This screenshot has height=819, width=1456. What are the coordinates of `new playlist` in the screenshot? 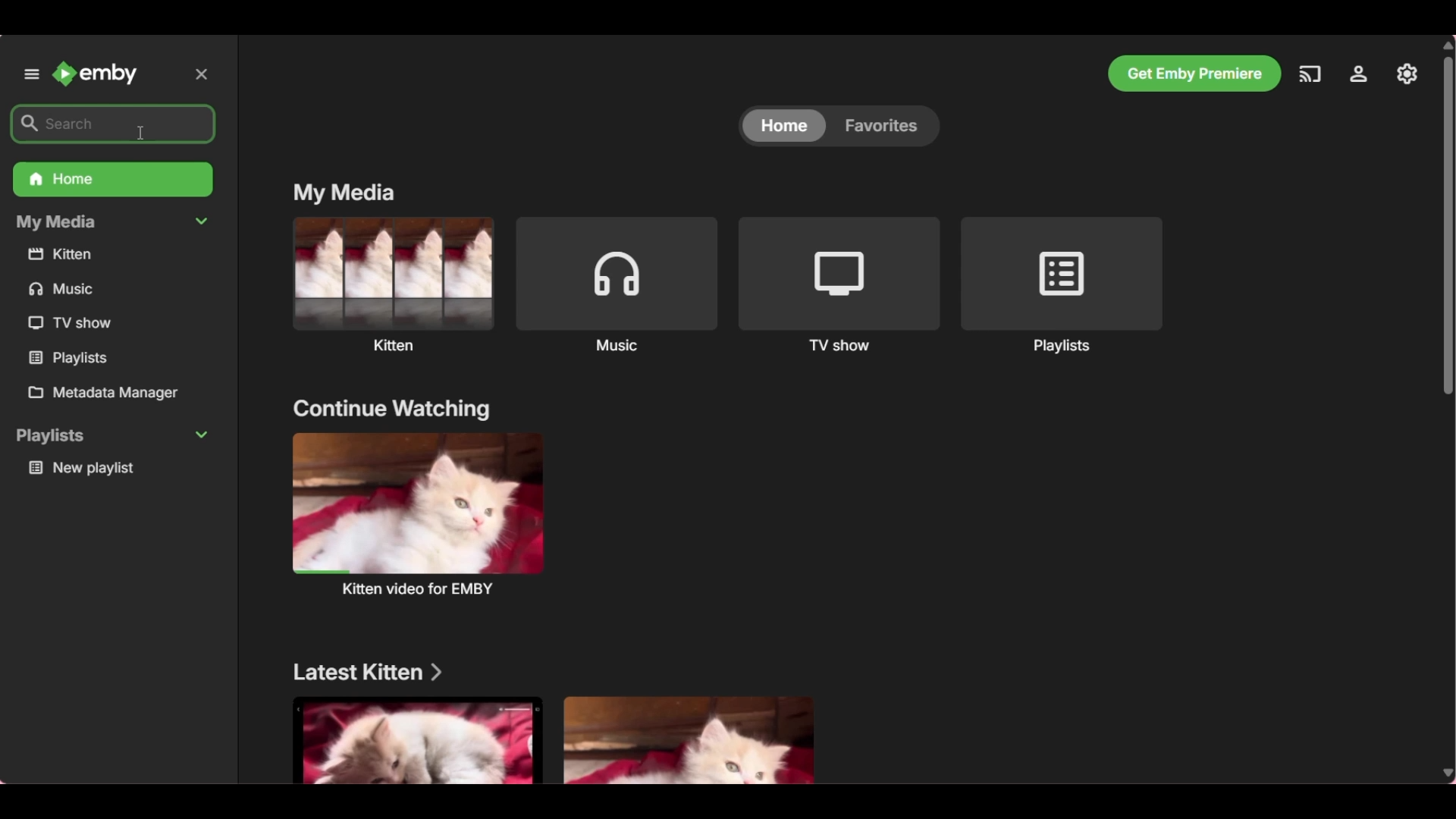 It's located at (115, 469).